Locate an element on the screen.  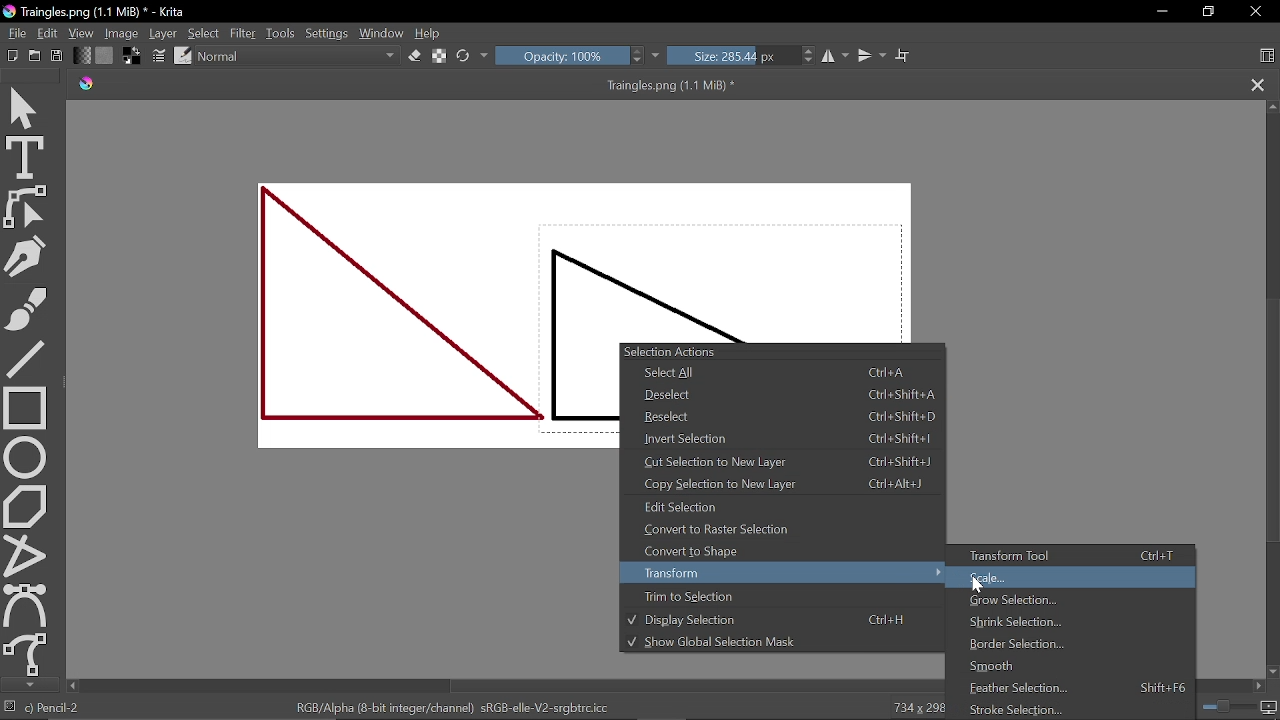
Move down tool is located at coordinates (27, 685).